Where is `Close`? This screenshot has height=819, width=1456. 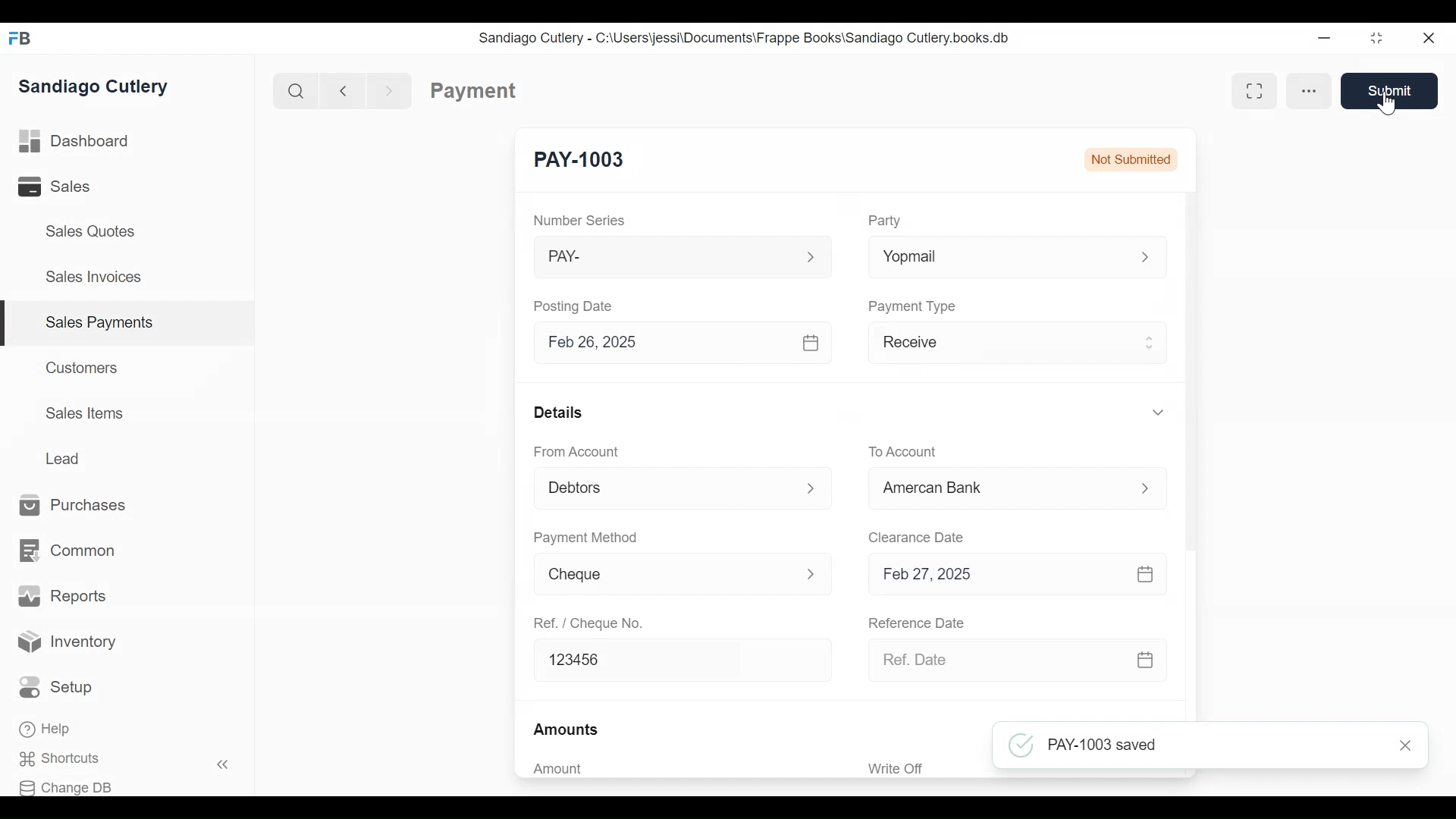 Close is located at coordinates (1404, 745).